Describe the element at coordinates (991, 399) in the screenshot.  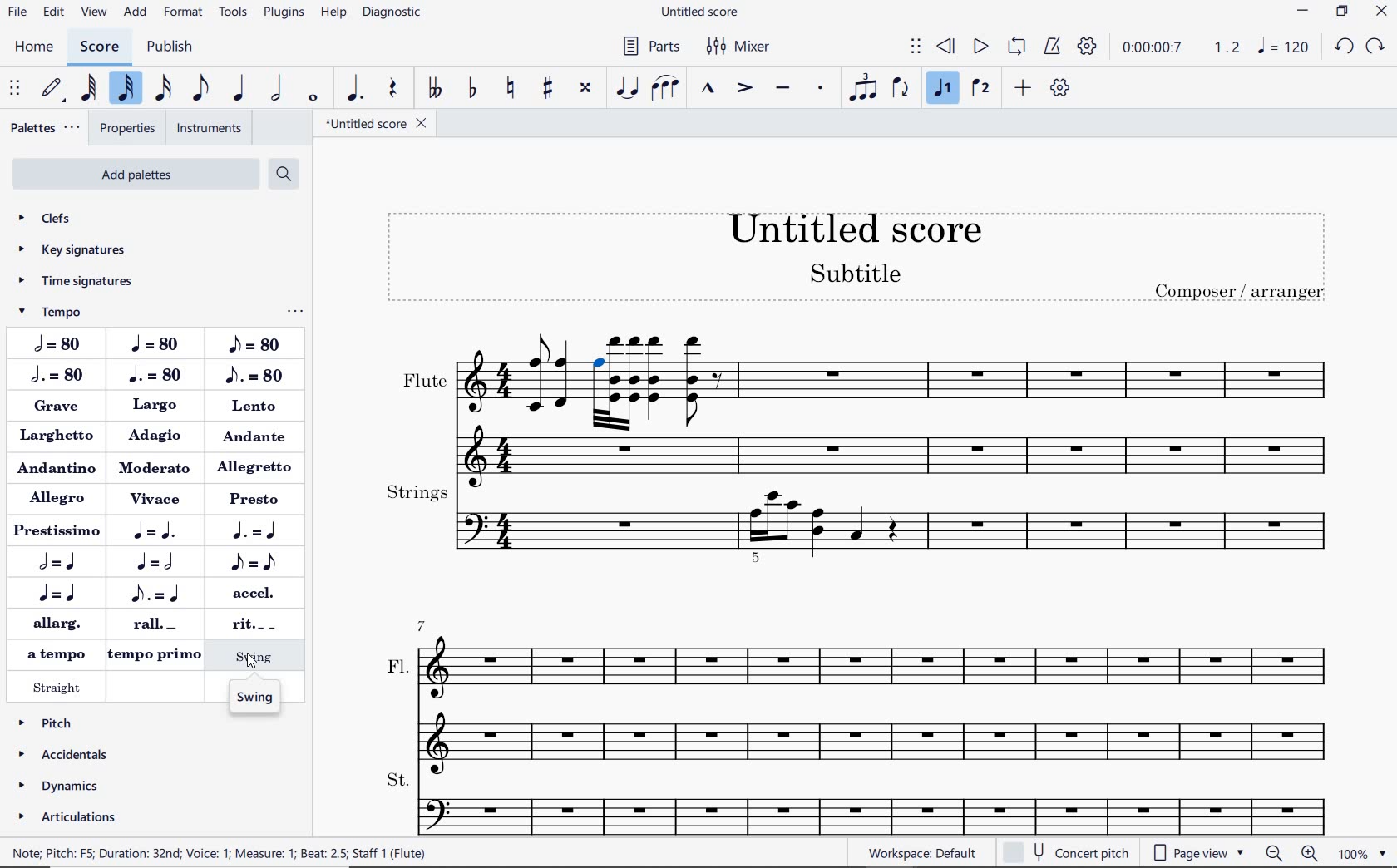
I see `flute` at that location.